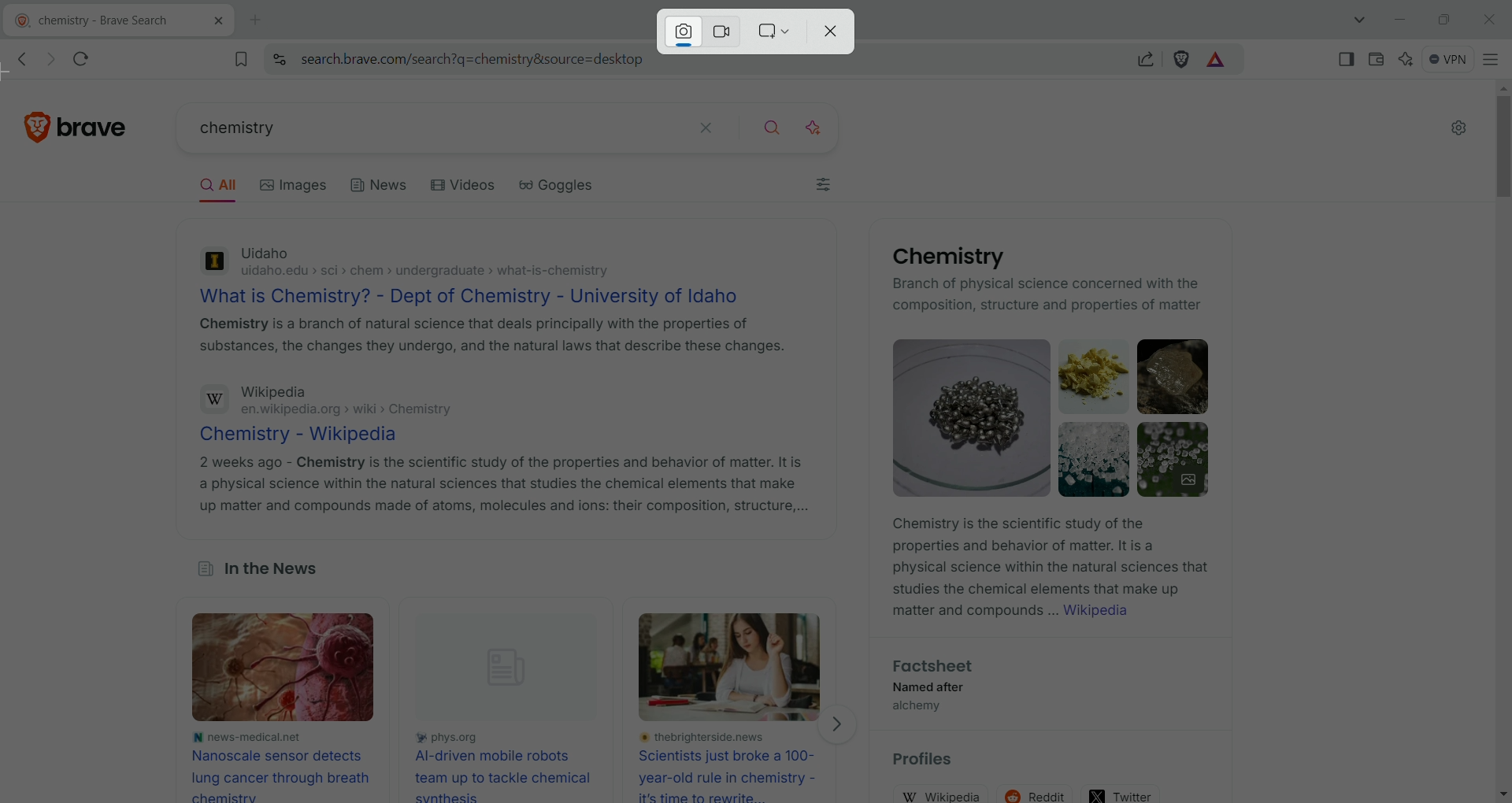 The width and height of the screenshot is (1512, 803). Describe the element at coordinates (39, 124) in the screenshot. I see `brave logo` at that location.